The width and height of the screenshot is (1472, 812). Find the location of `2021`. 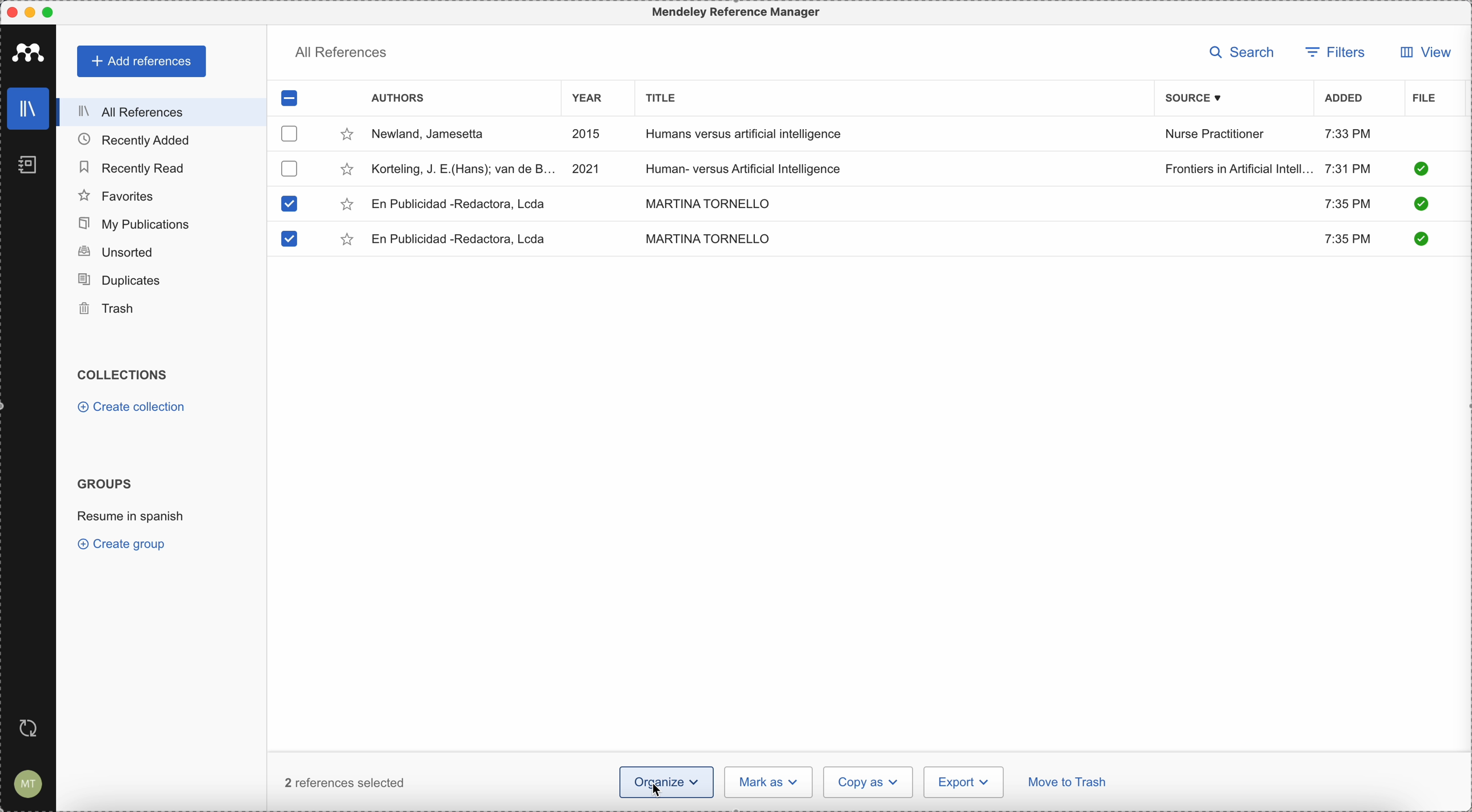

2021 is located at coordinates (587, 167).